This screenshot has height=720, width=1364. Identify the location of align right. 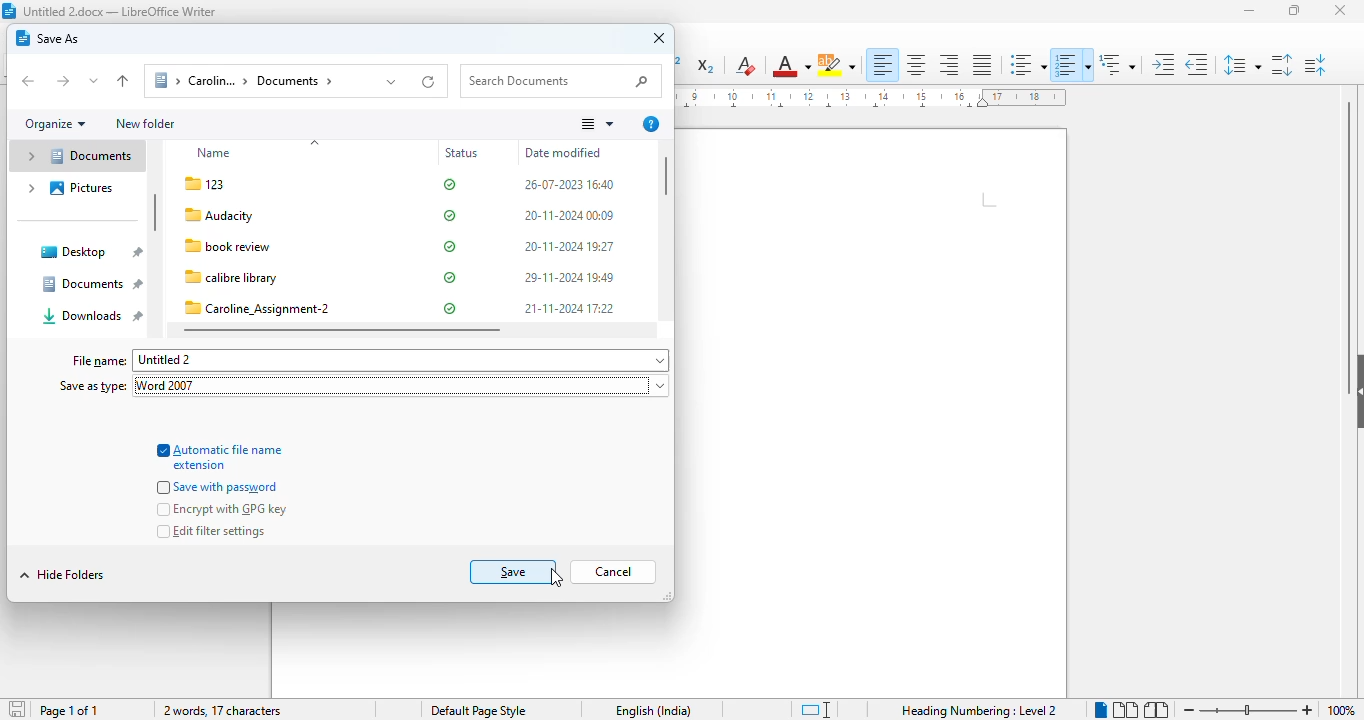
(948, 65).